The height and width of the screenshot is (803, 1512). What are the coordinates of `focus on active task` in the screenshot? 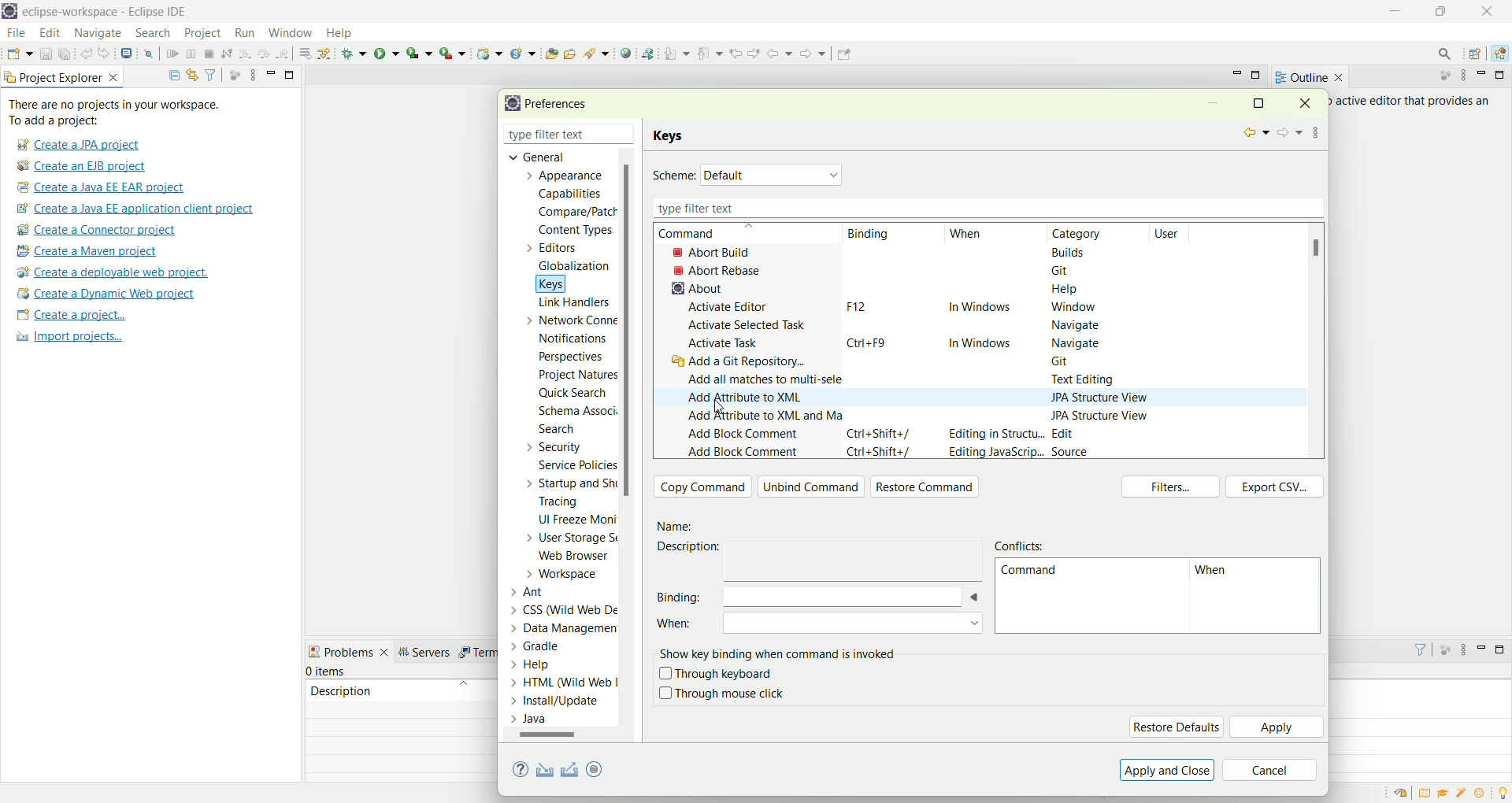 It's located at (233, 74).